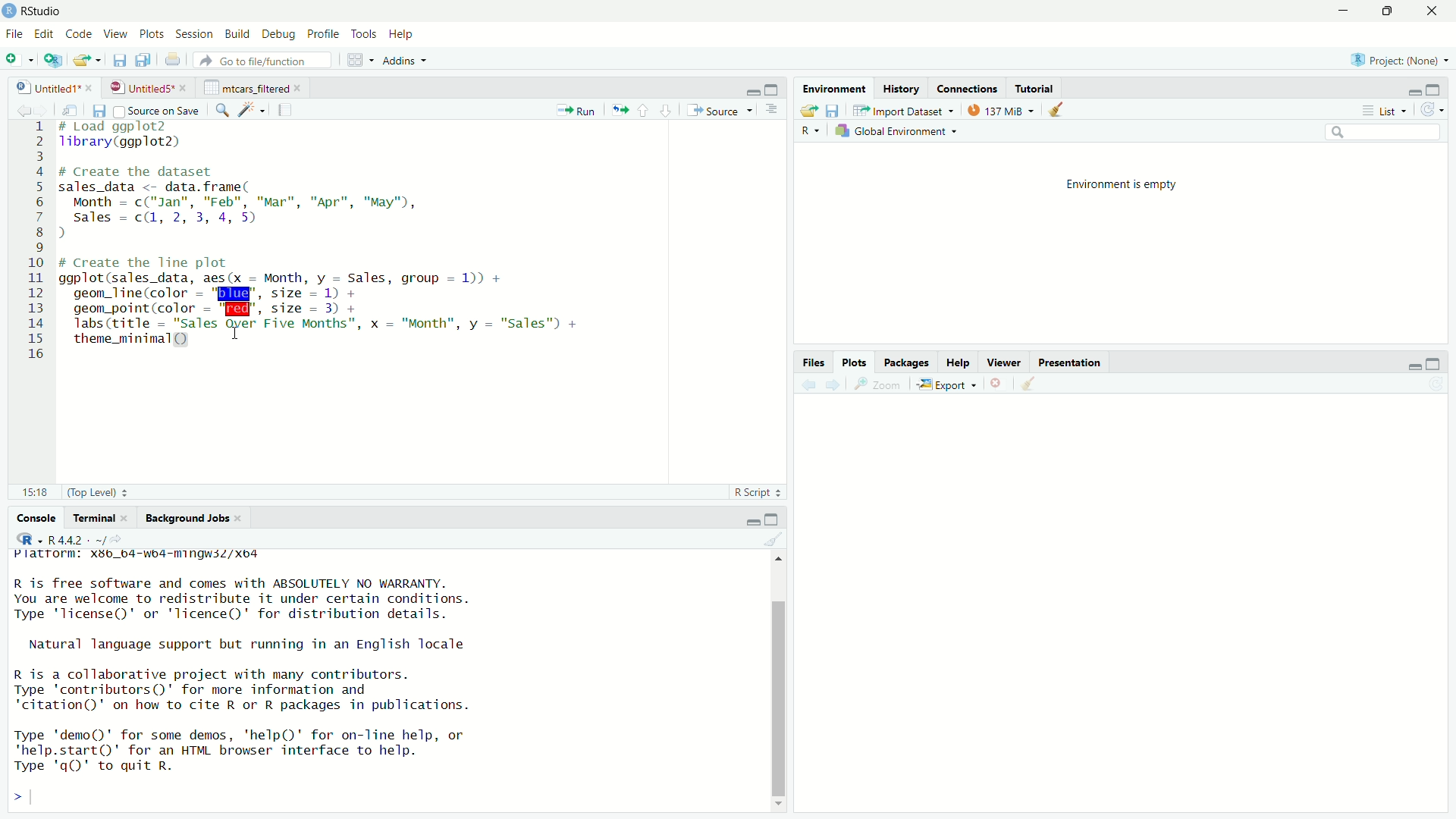 The height and width of the screenshot is (819, 1456). I want to click on R Script, so click(753, 492).